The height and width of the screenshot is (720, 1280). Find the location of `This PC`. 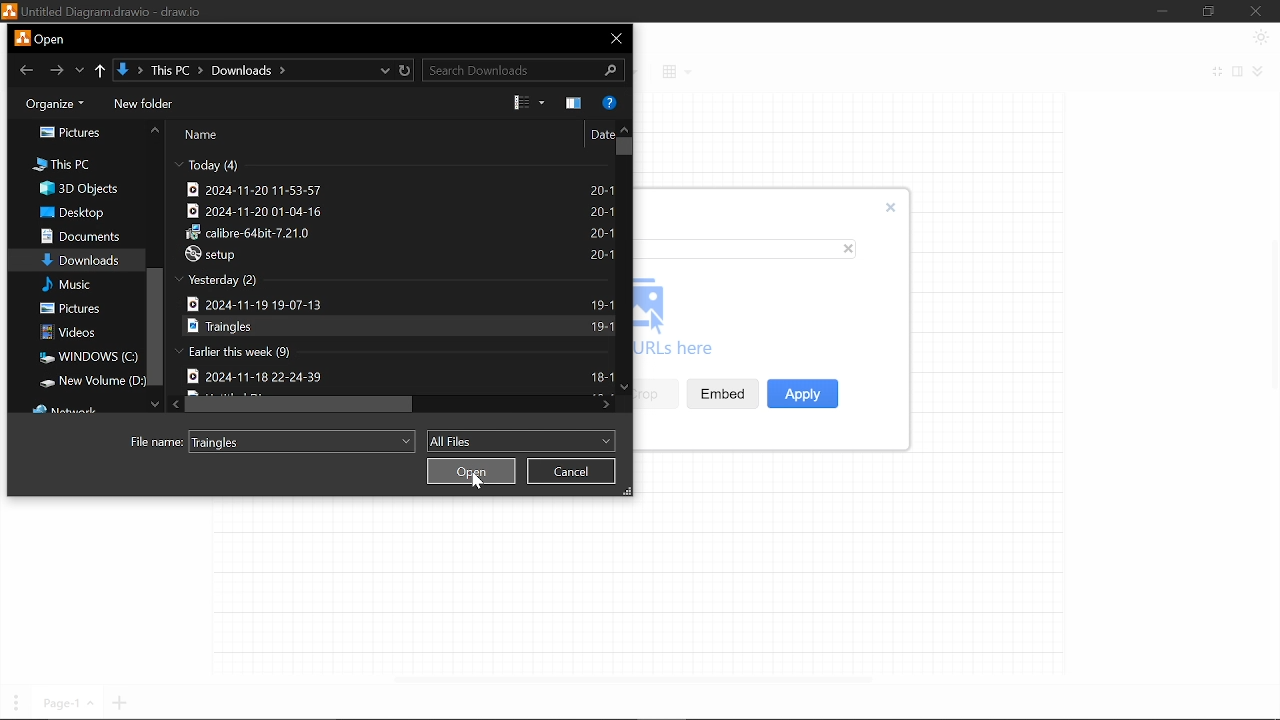

This PC is located at coordinates (72, 165).